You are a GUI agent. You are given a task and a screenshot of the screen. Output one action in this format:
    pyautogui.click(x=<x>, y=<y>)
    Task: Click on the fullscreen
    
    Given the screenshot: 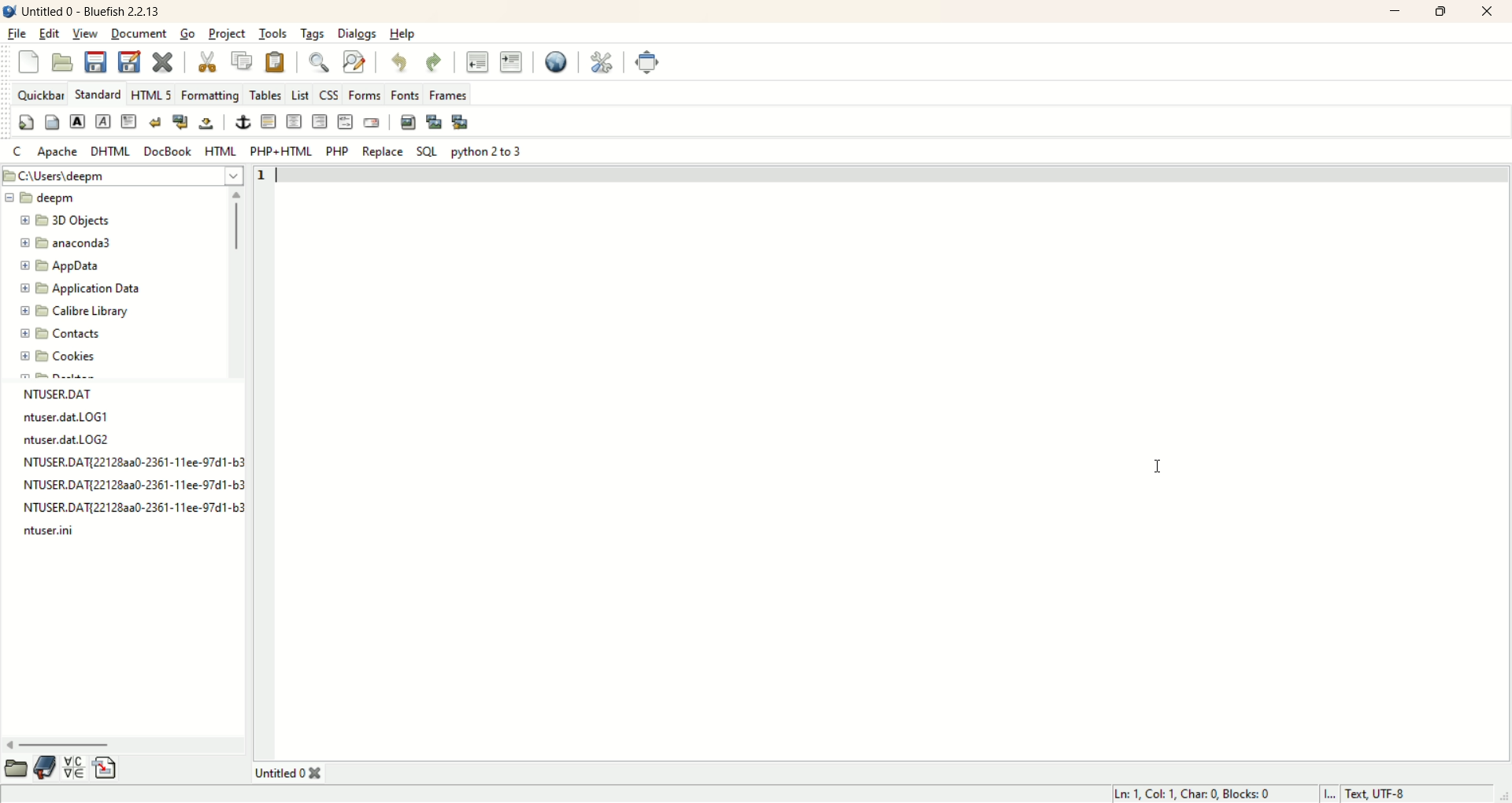 What is the action you would take?
    pyautogui.click(x=643, y=62)
    